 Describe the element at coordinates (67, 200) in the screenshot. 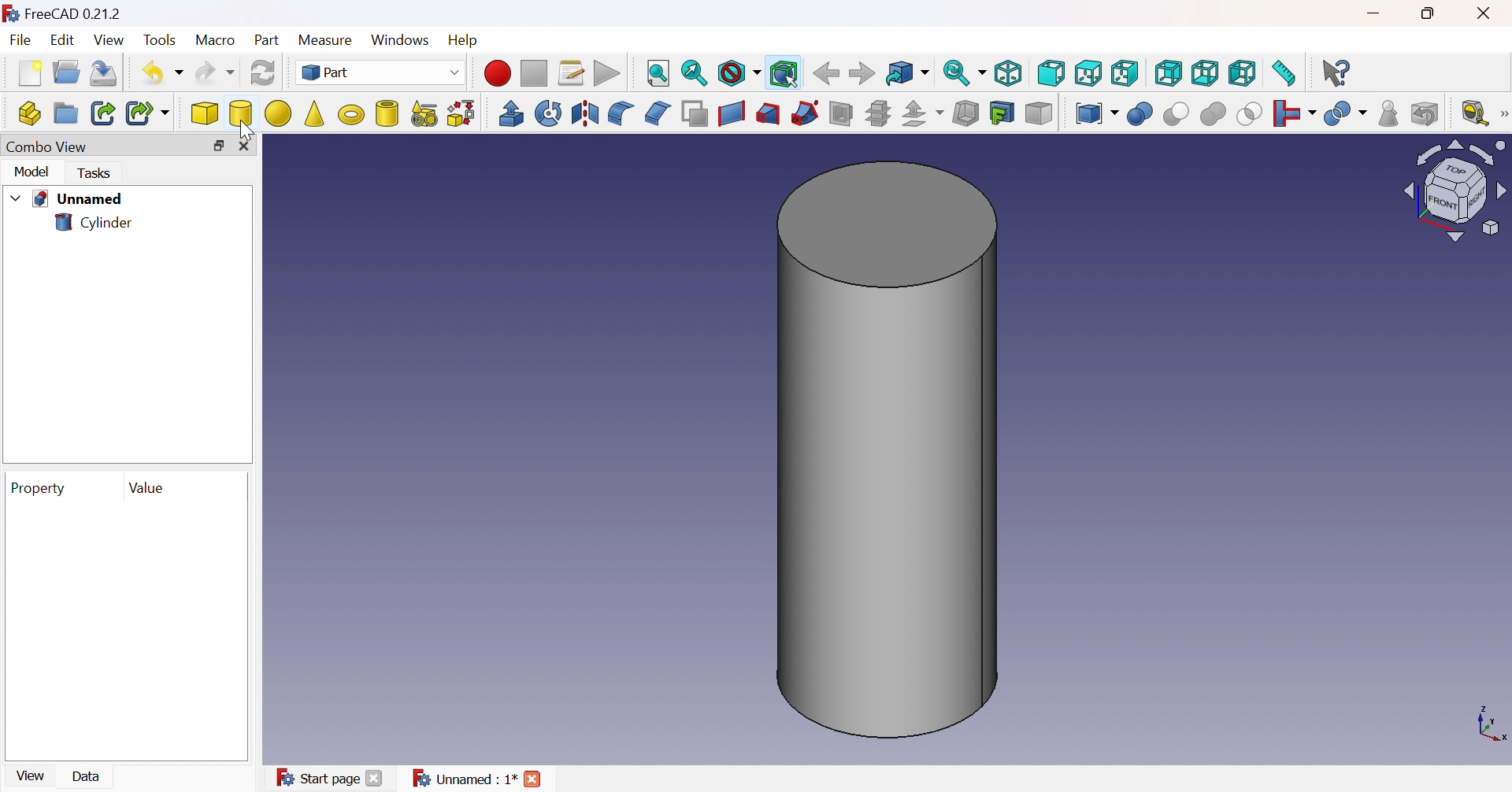

I see `Unnamed` at that location.